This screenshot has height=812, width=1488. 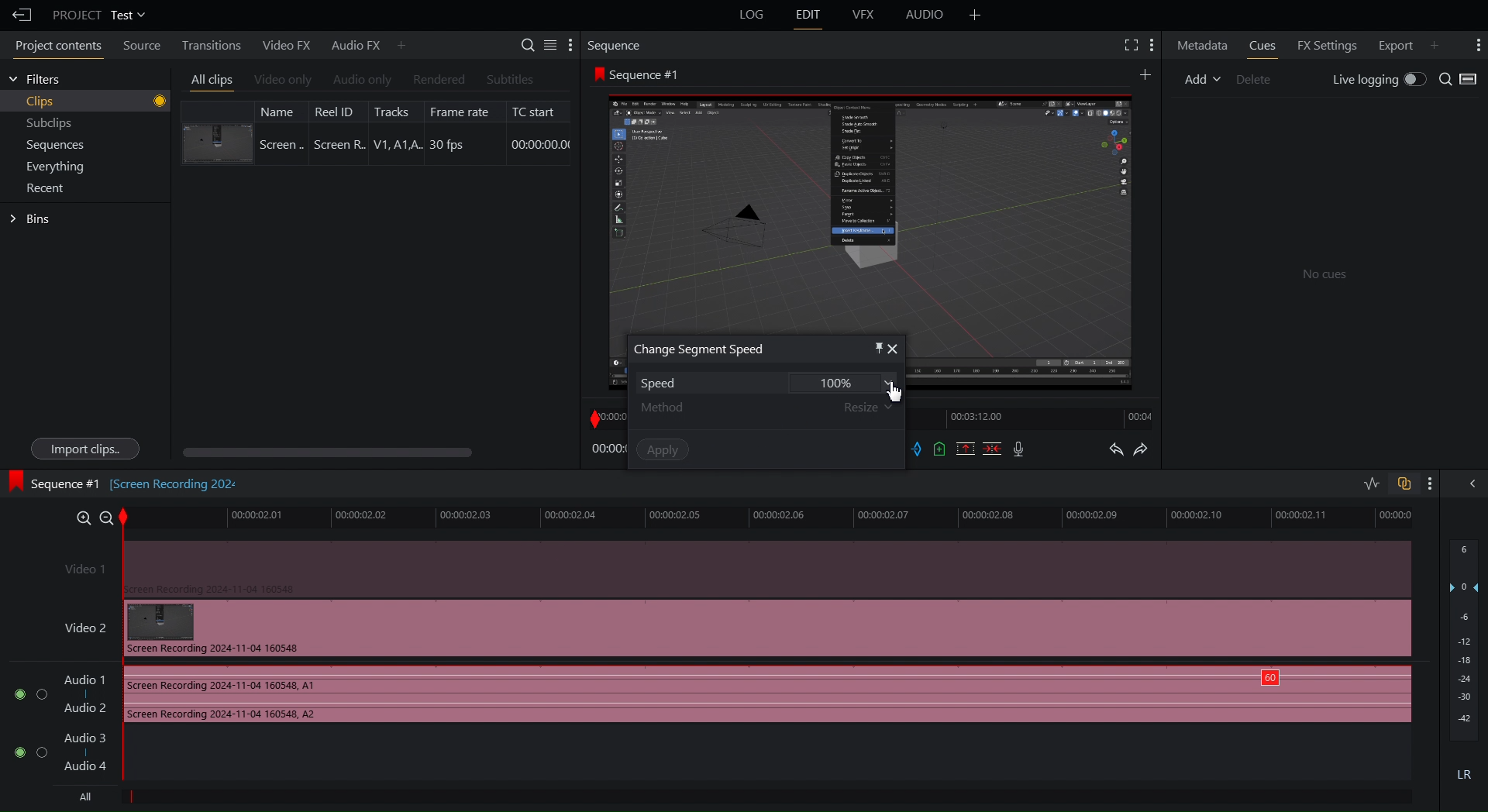 I want to click on Undo, so click(x=1115, y=451).